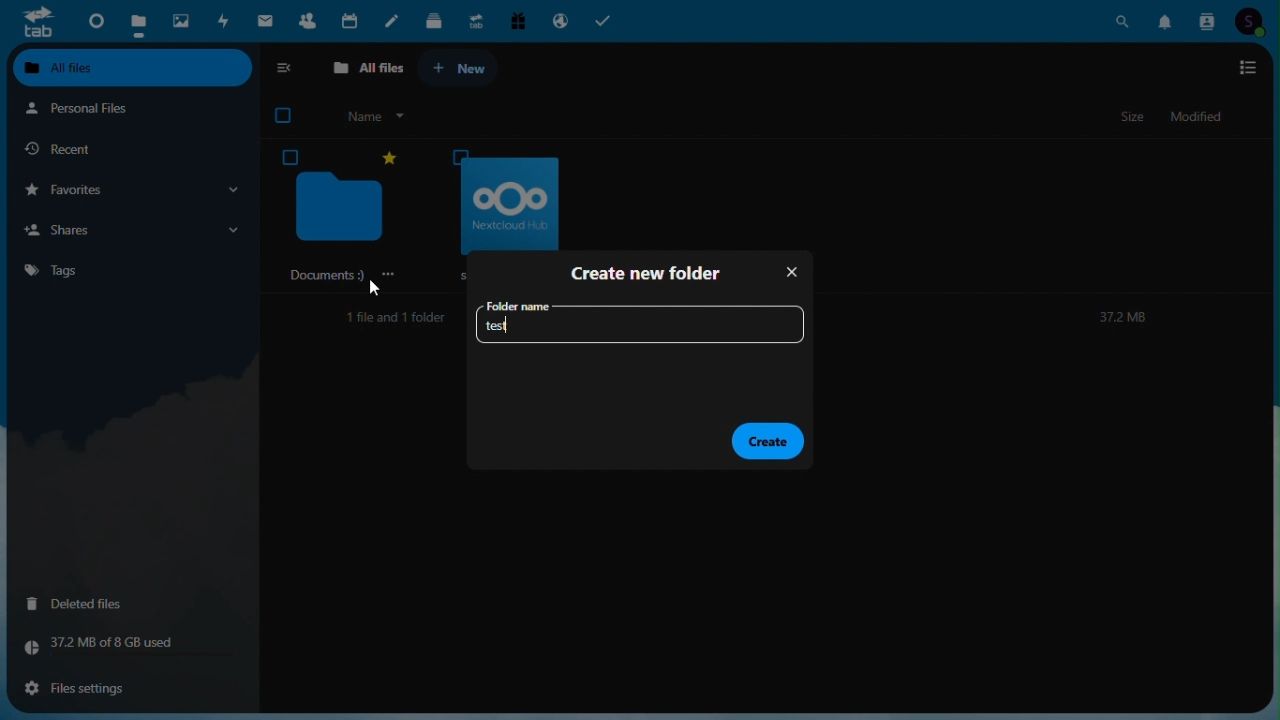 The height and width of the screenshot is (720, 1280). I want to click on Account icon, so click(1255, 20).